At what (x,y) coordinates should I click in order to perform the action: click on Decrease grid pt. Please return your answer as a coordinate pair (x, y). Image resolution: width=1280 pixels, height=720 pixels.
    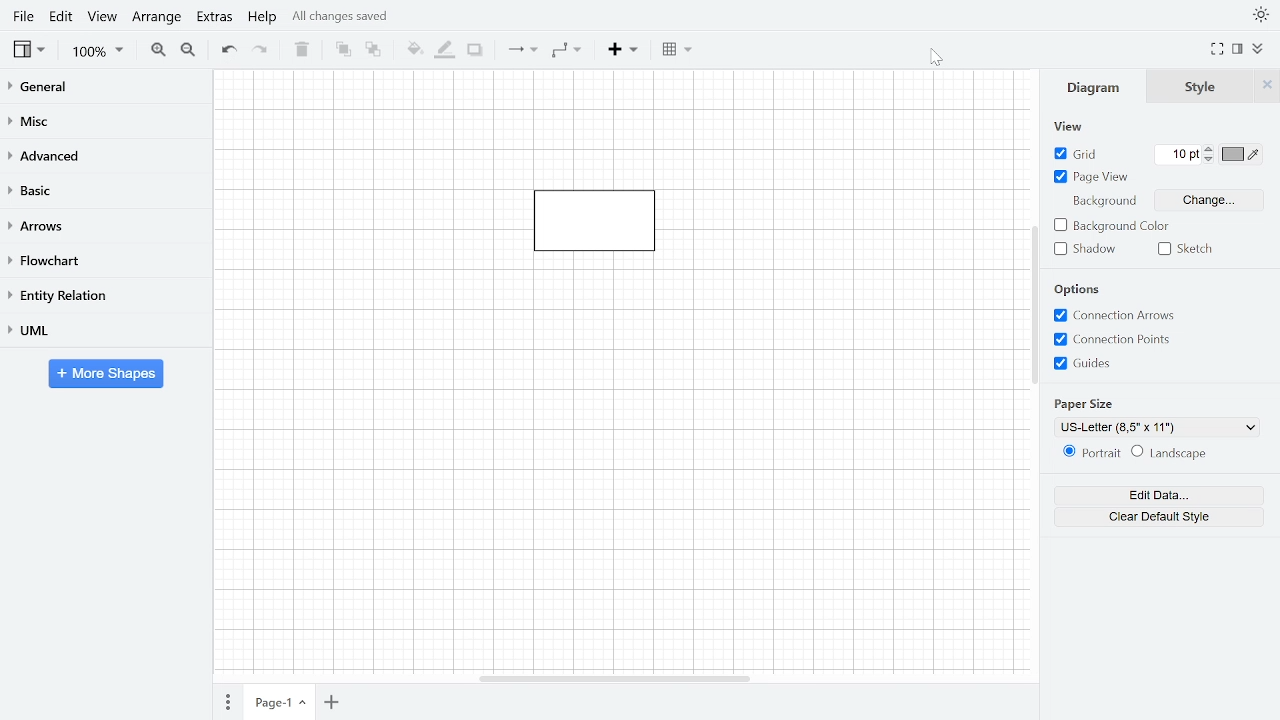
    Looking at the image, I should click on (1210, 159).